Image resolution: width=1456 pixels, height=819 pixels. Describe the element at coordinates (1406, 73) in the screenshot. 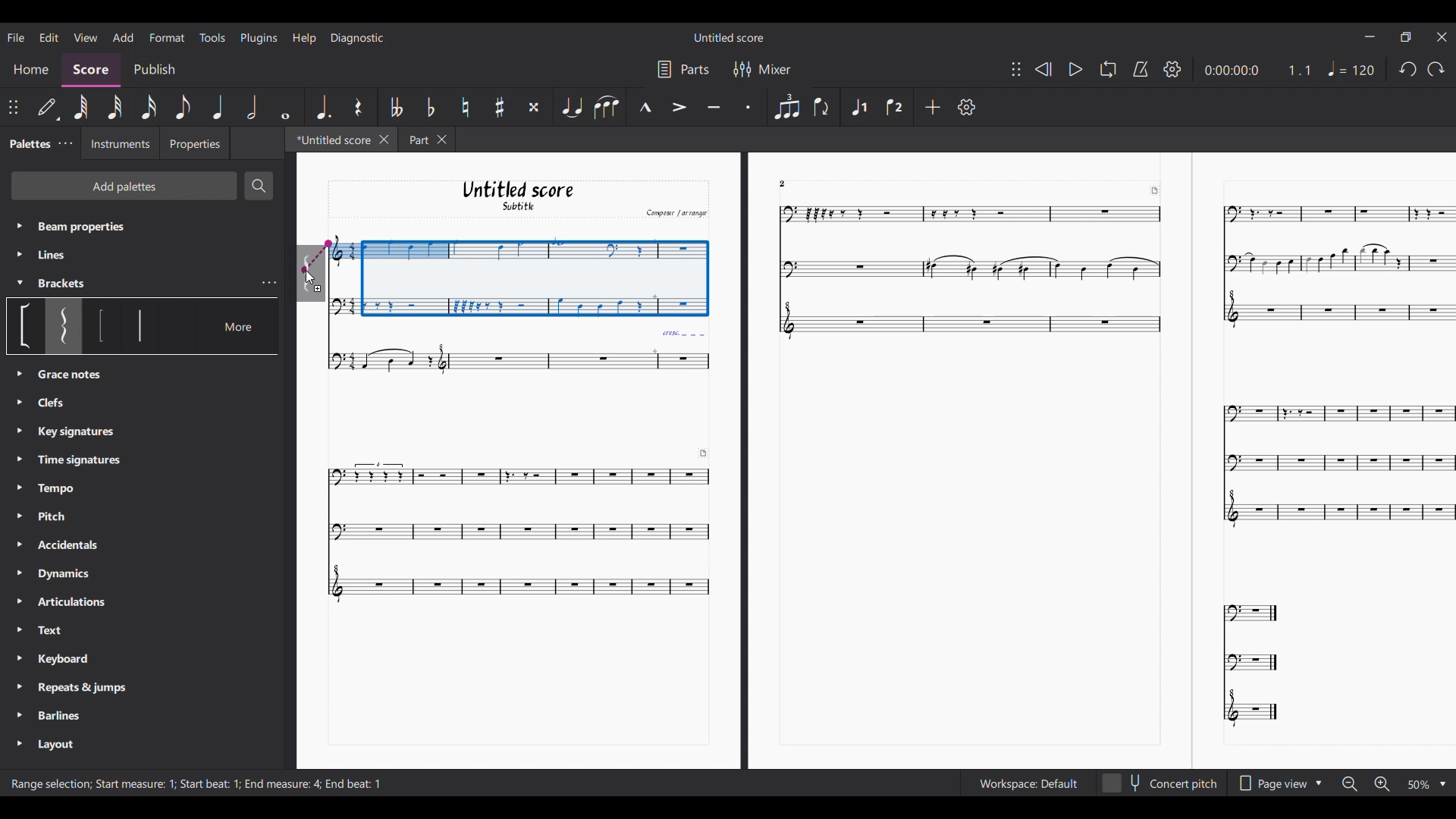

I see `redo` at that location.